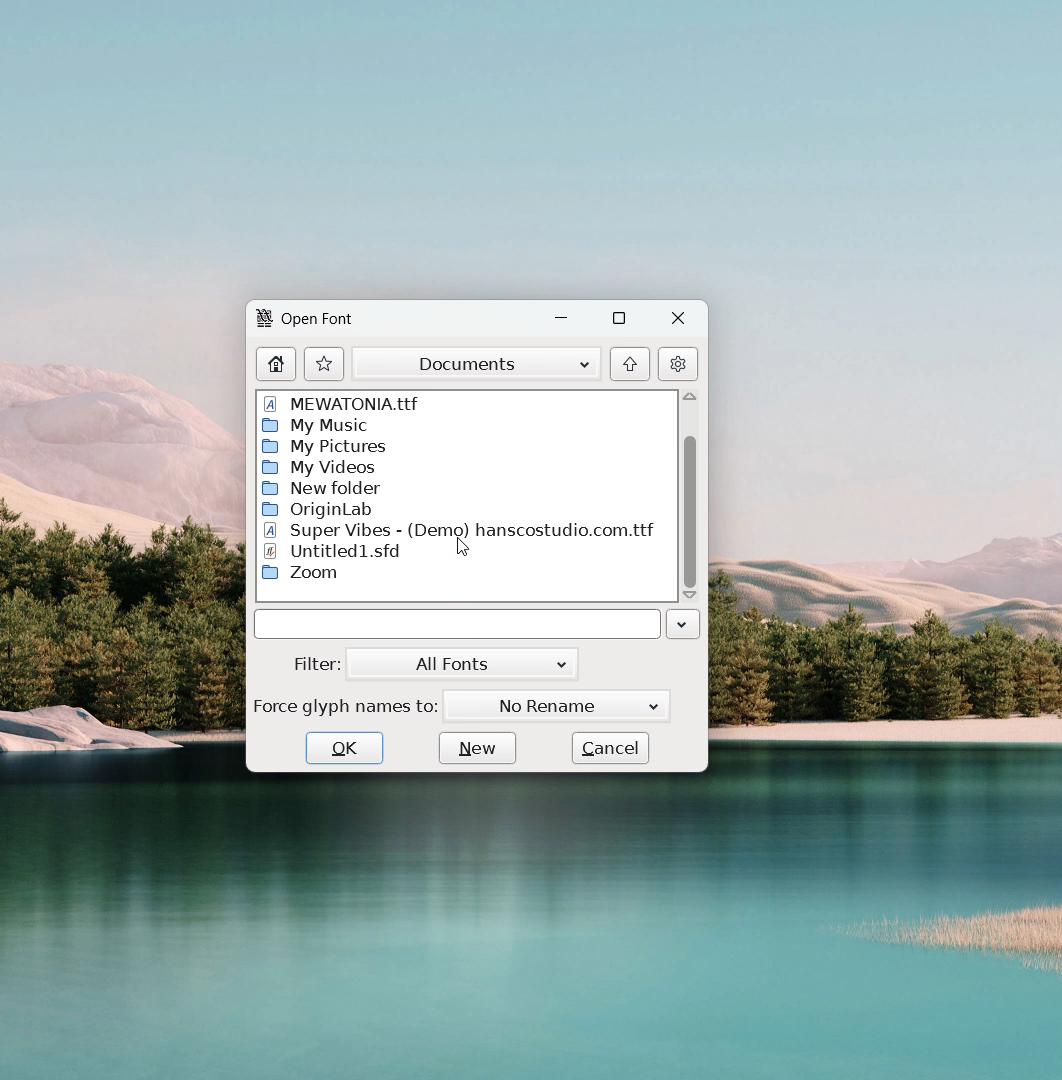 Image resolution: width=1062 pixels, height=1080 pixels. What do you see at coordinates (557, 705) in the screenshot?
I see `No Rename` at bounding box center [557, 705].